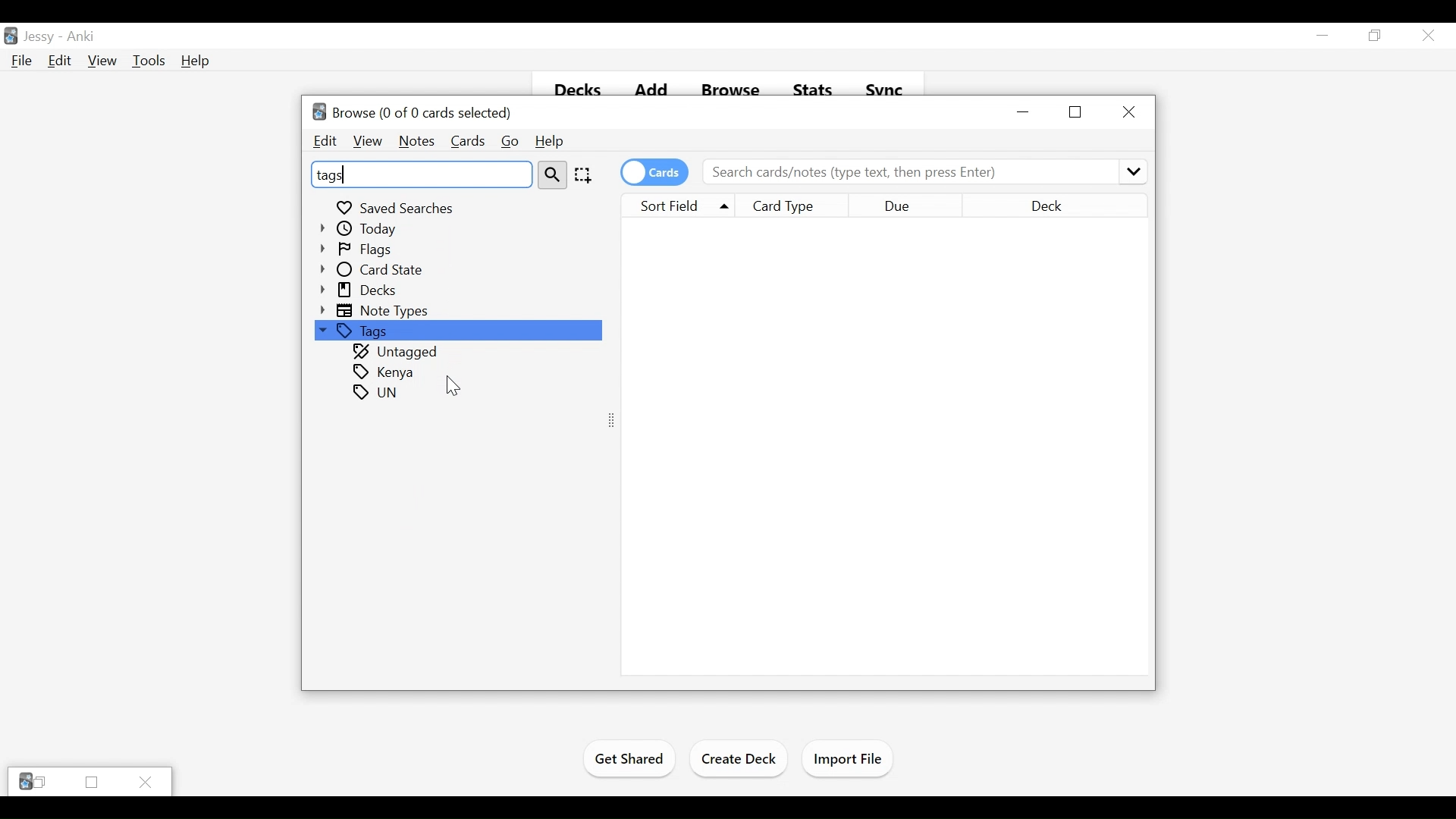 The image size is (1456, 819). What do you see at coordinates (19, 61) in the screenshot?
I see `File` at bounding box center [19, 61].